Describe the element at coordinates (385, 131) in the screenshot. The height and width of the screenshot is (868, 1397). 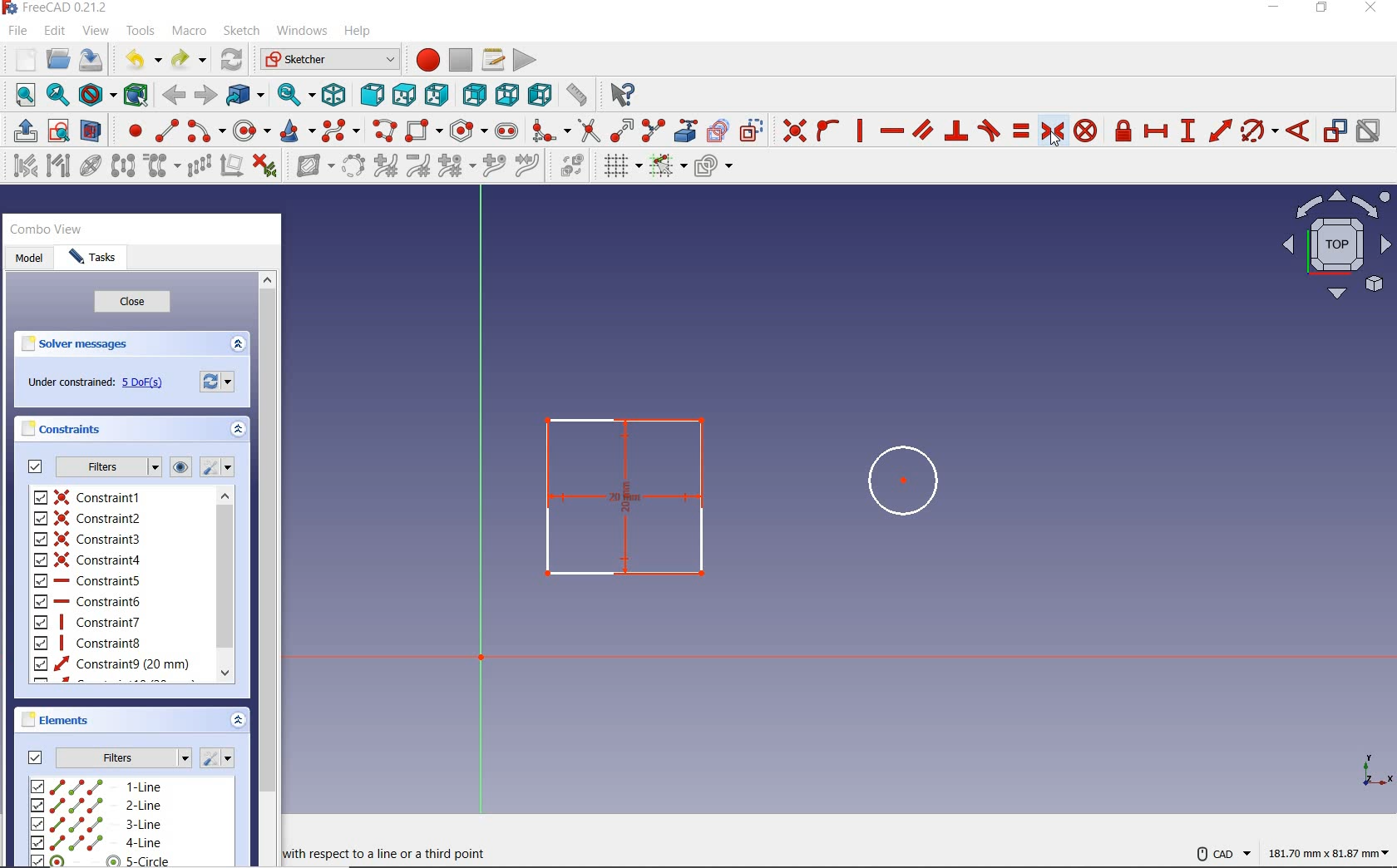
I see `create polyline` at that location.